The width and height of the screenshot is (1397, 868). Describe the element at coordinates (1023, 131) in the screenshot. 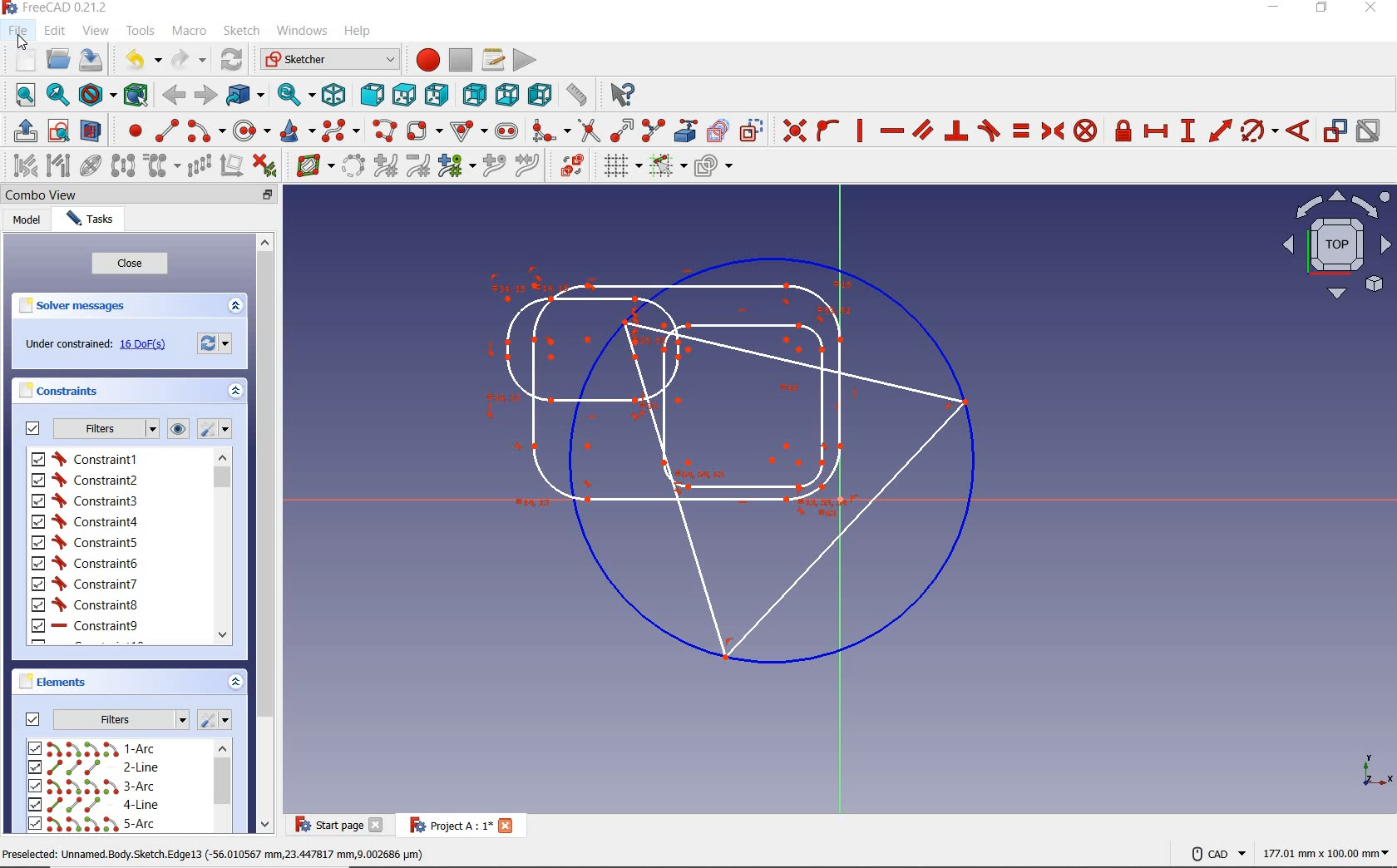

I see `constrain equal` at that location.